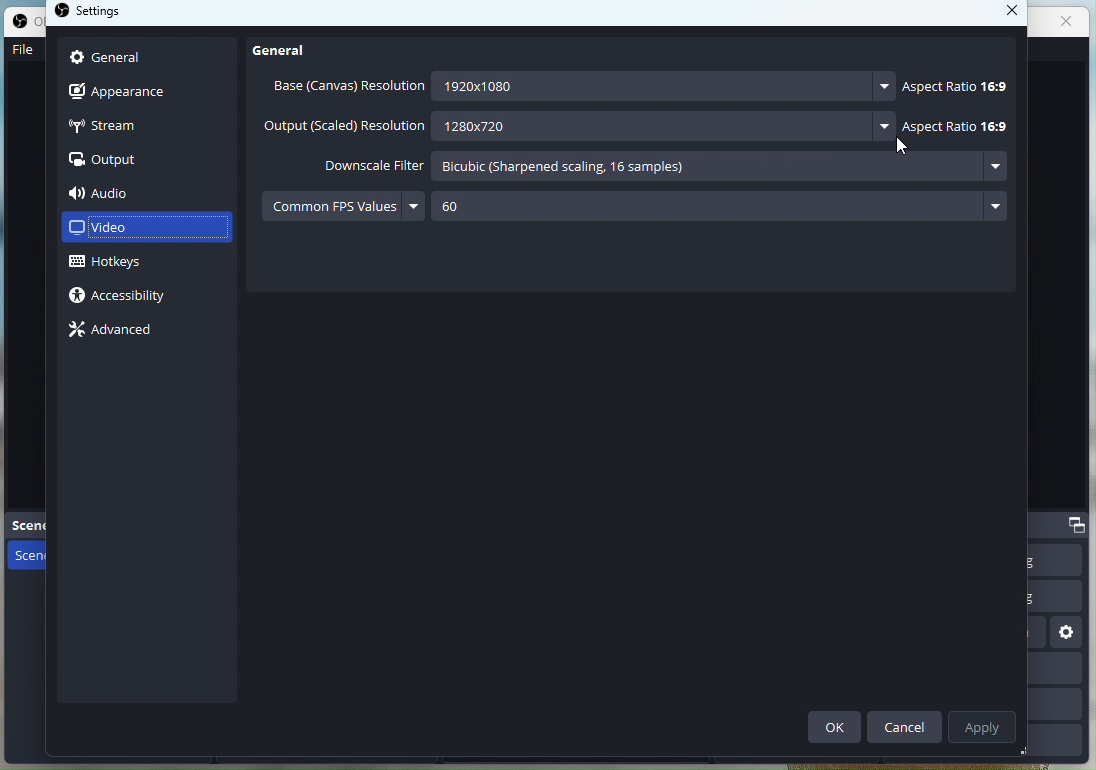 This screenshot has height=770, width=1096. I want to click on File, so click(22, 54).